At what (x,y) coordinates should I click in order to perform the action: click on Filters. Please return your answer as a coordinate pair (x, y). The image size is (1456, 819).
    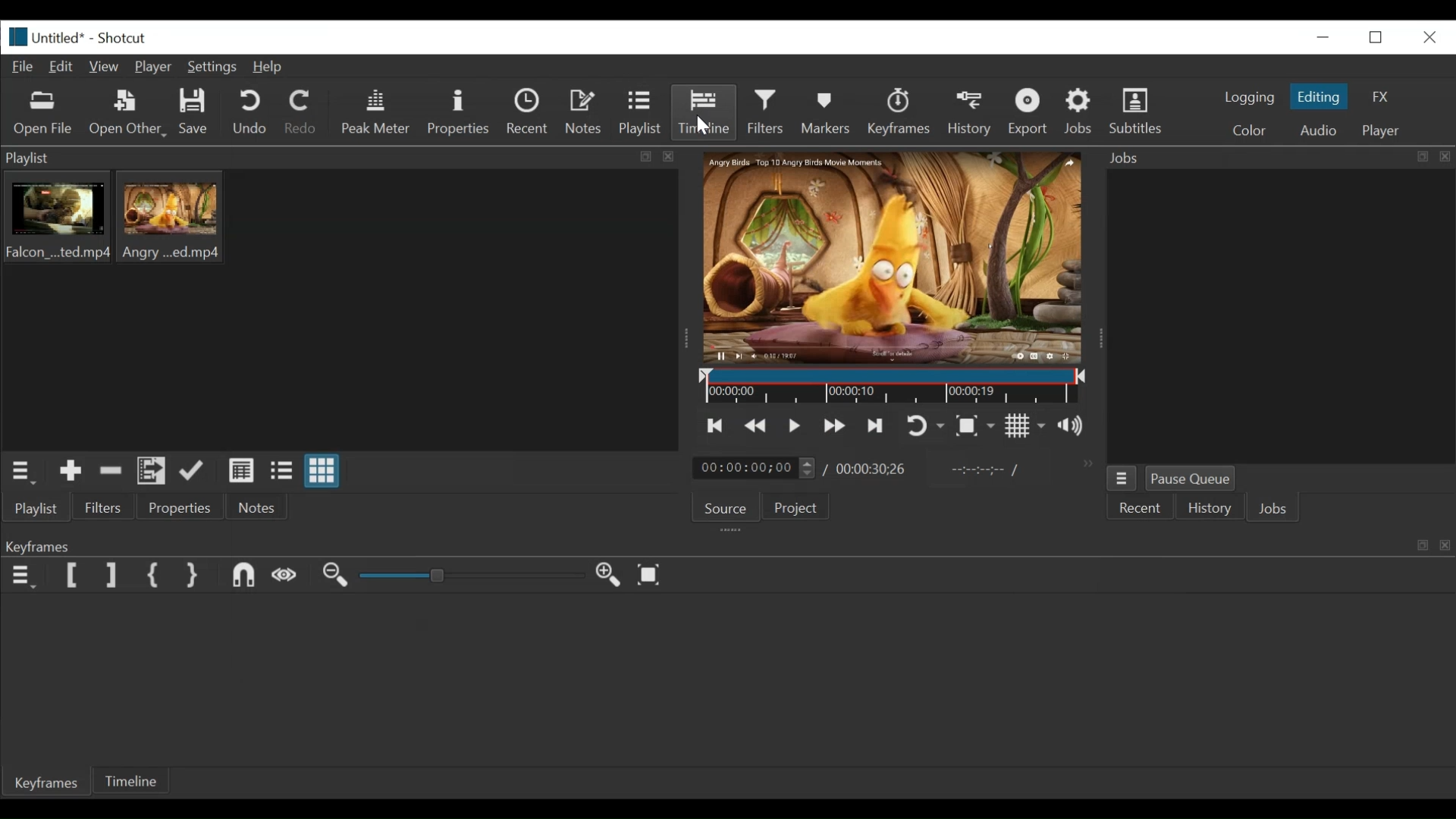
    Looking at the image, I should click on (104, 508).